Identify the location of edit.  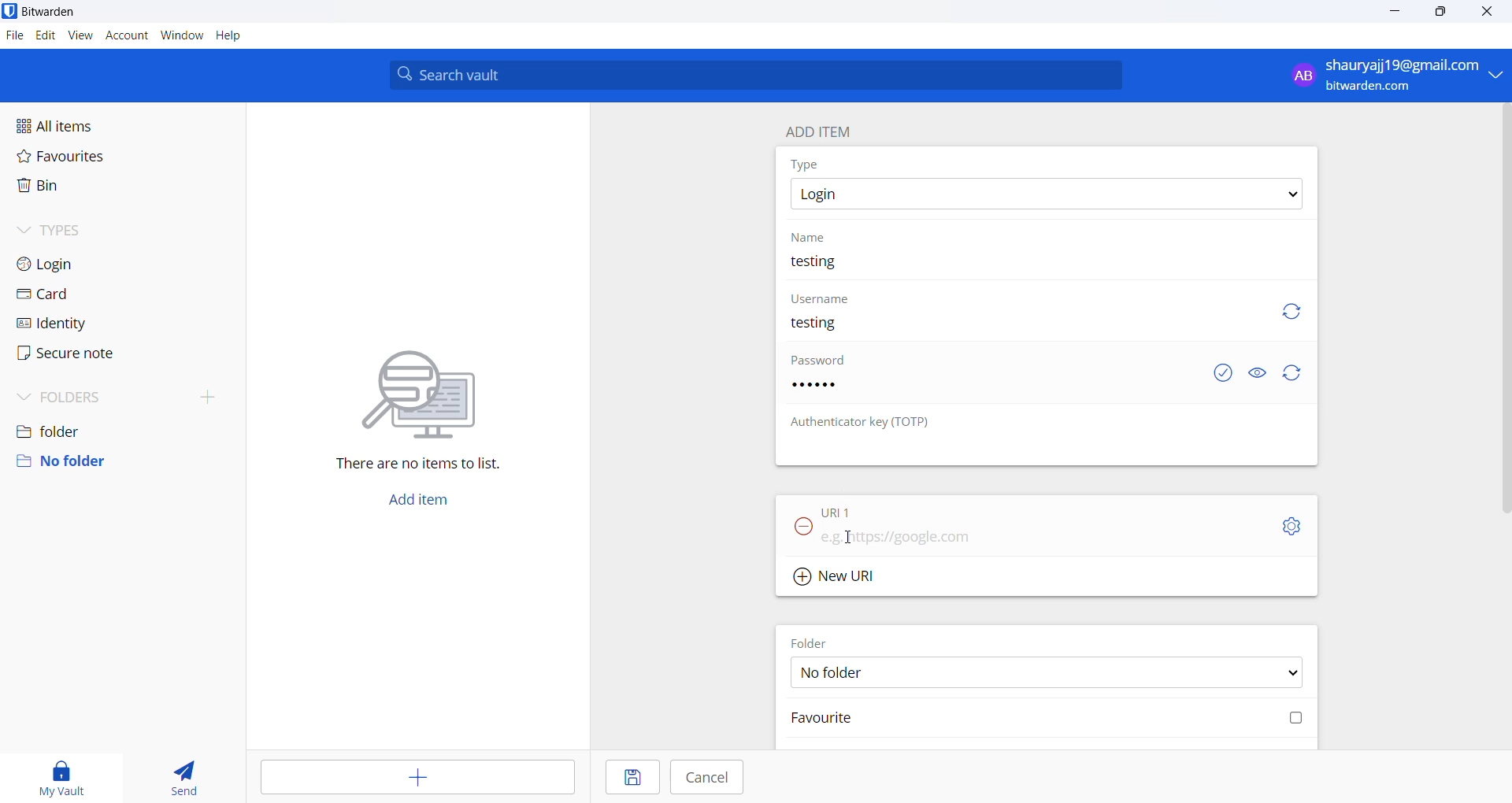
(43, 35).